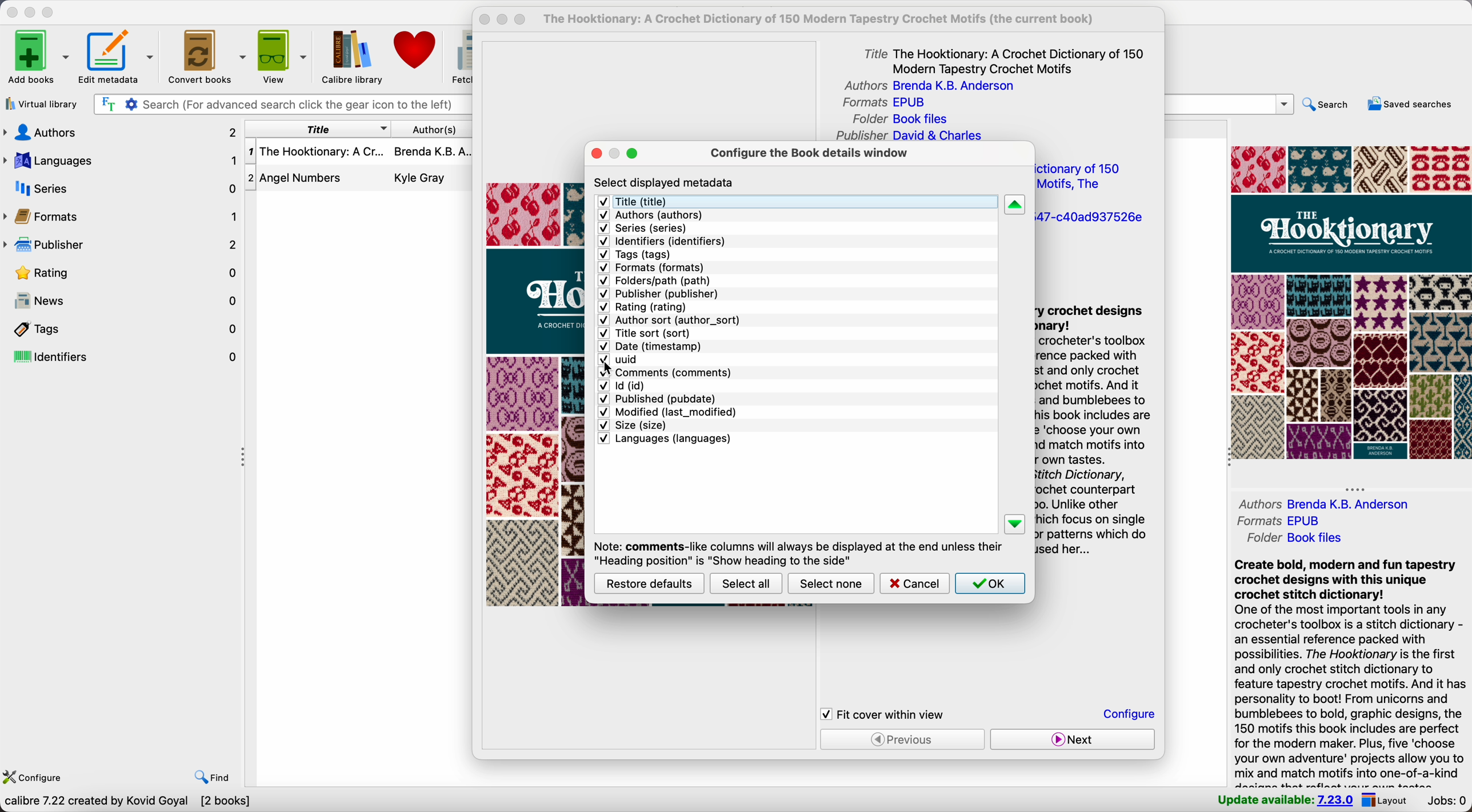  I want to click on select all, so click(745, 583).